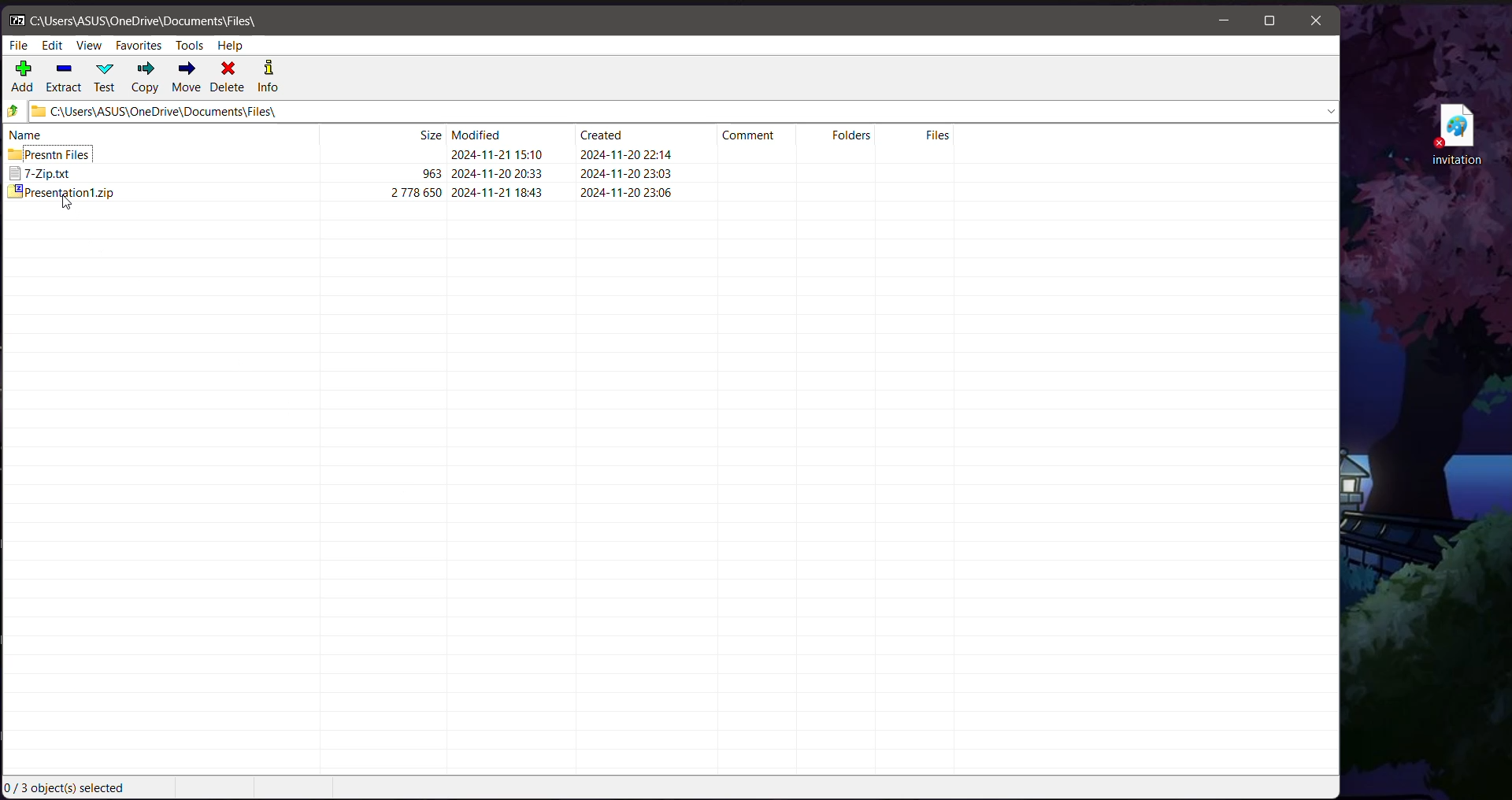 Image resolution: width=1512 pixels, height=800 pixels. What do you see at coordinates (1226, 21) in the screenshot?
I see `Minimize` at bounding box center [1226, 21].